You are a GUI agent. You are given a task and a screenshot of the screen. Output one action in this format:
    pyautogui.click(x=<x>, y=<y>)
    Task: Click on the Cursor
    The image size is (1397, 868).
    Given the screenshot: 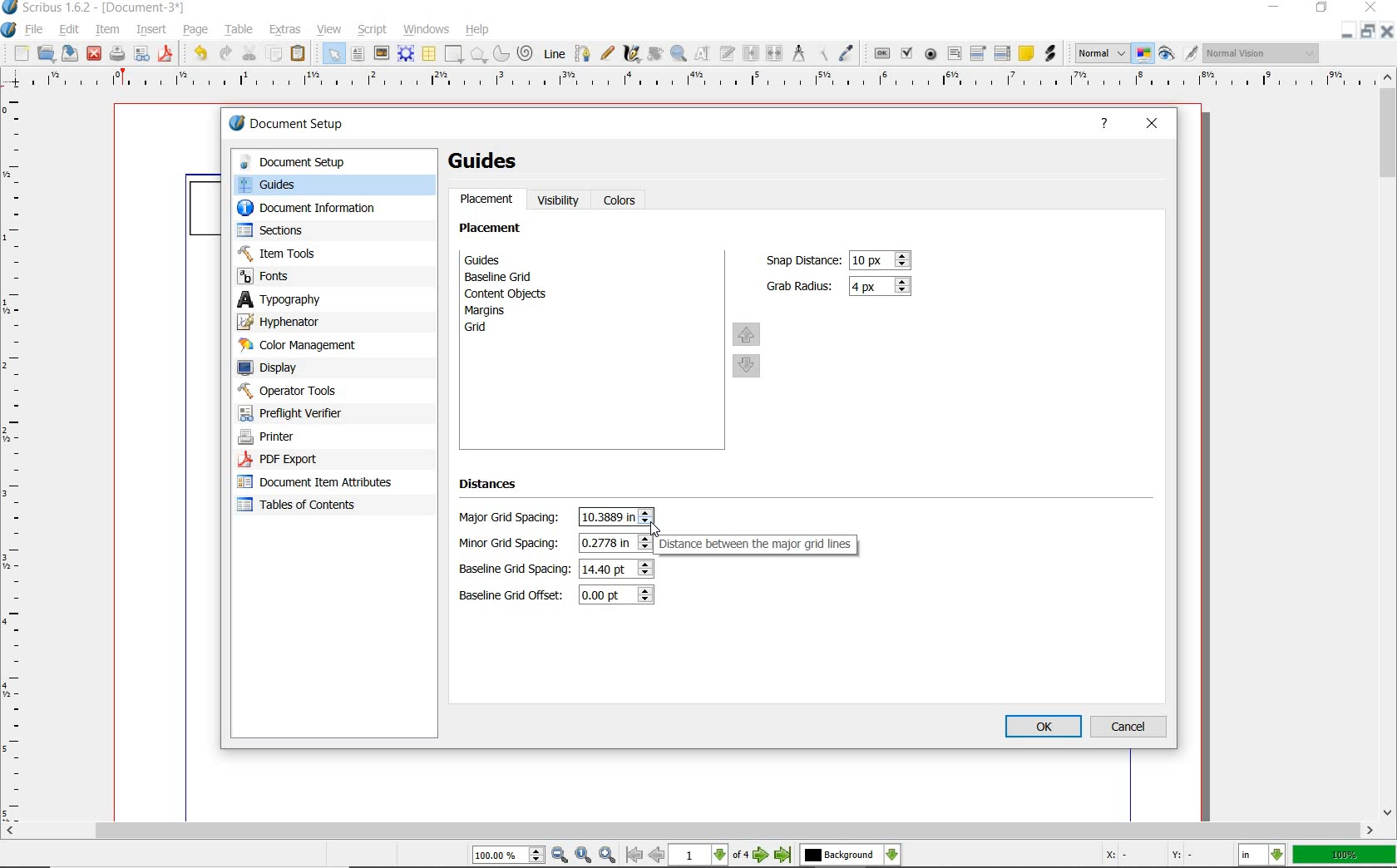 What is the action you would take?
    pyautogui.click(x=655, y=529)
    